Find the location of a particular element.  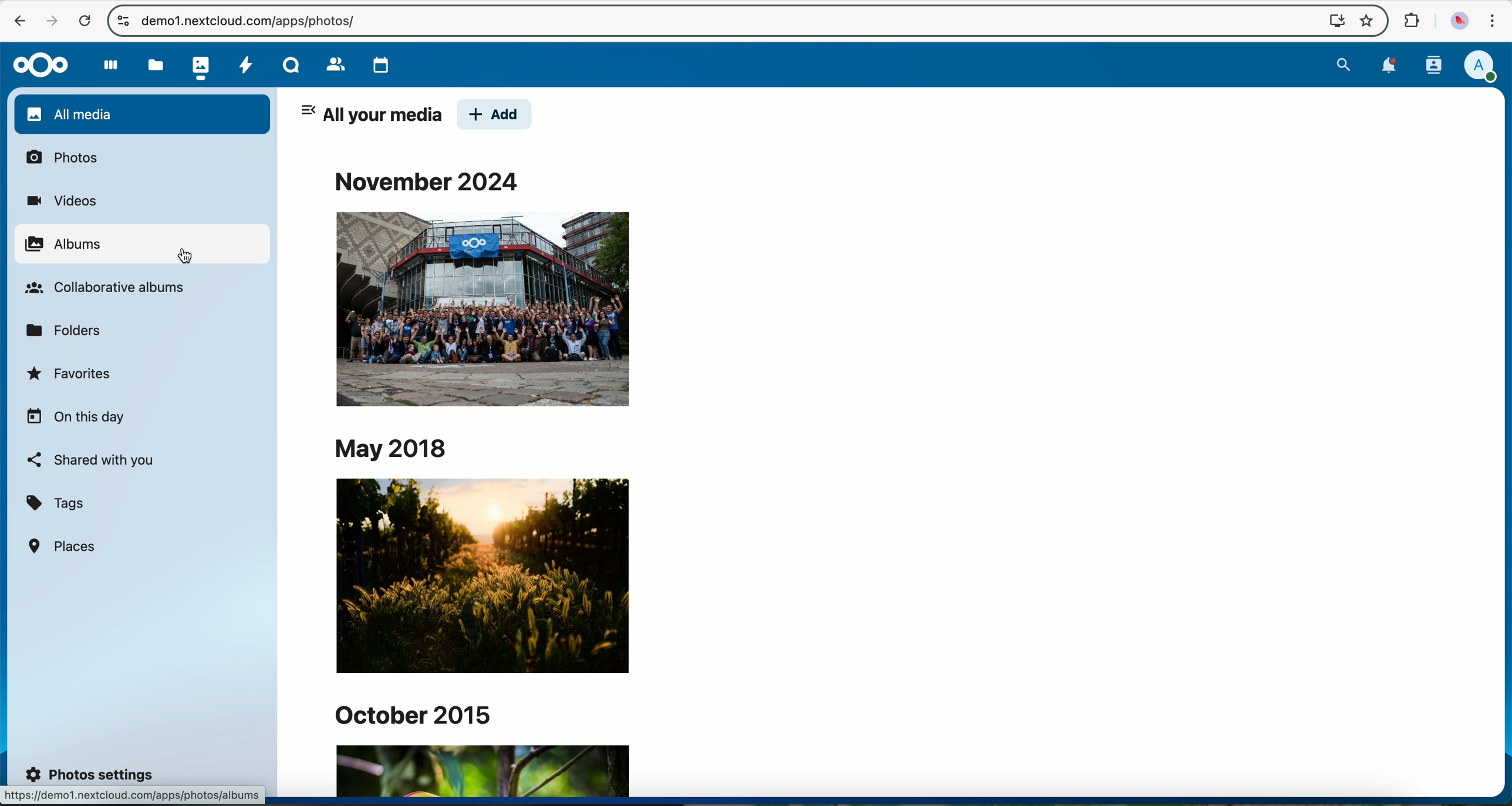

photos is located at coordinates (198, 65).